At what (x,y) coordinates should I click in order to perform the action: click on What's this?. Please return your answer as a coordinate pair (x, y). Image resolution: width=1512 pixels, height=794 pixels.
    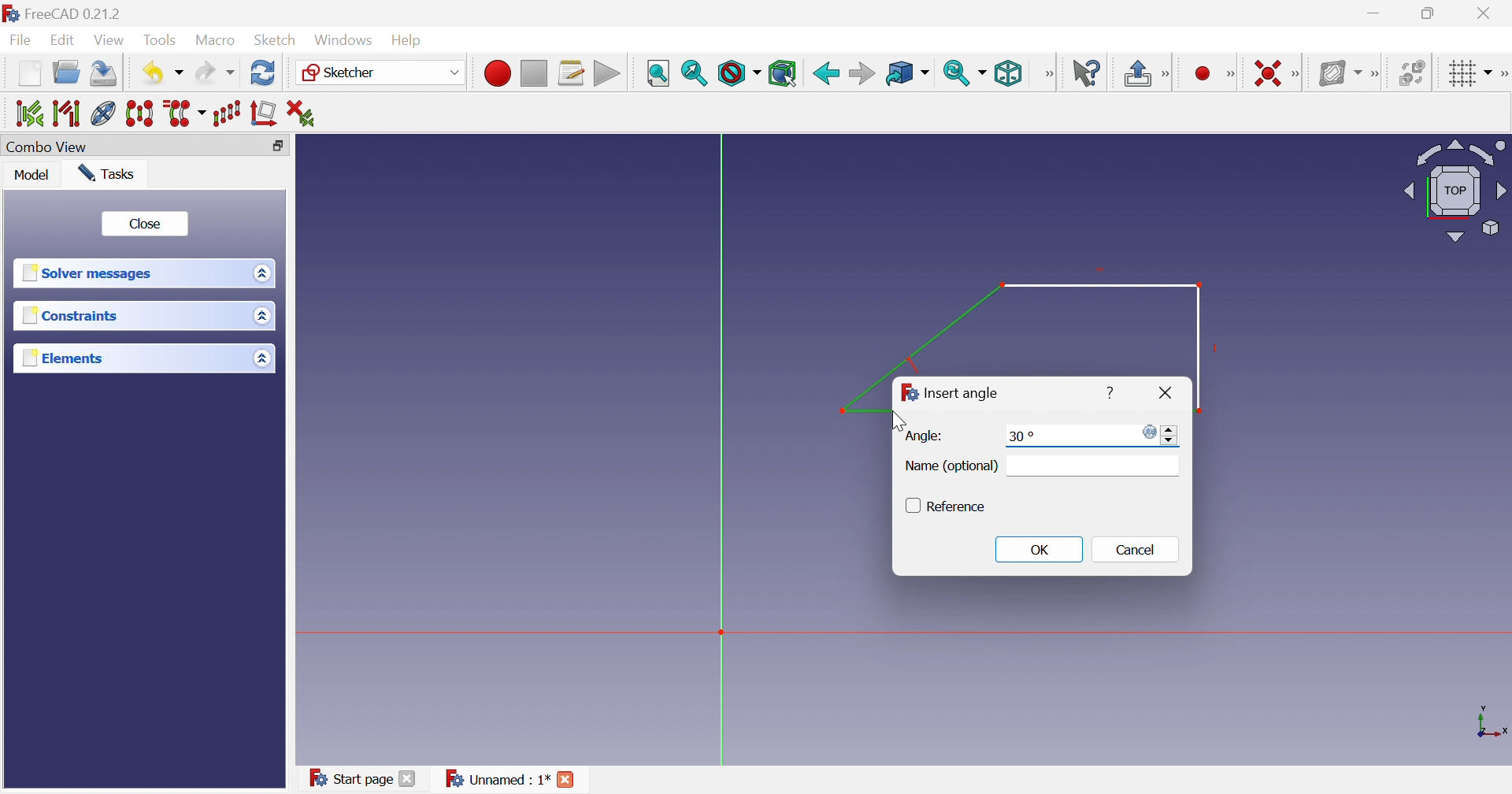
    Looking at the image, I should click on (1086, 72).